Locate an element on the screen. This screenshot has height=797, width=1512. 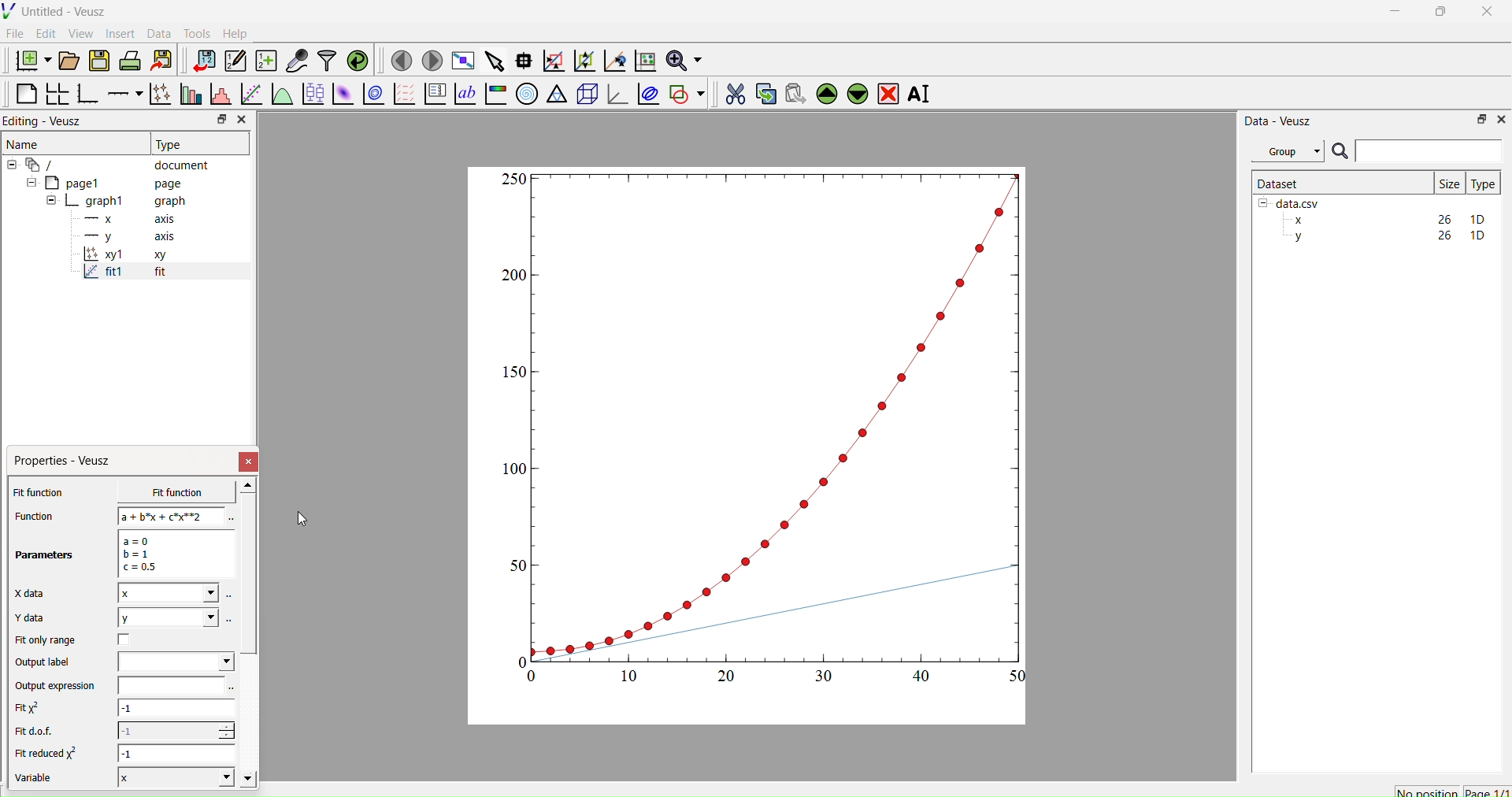
Ternary graph is located at coordinates (558, 93).